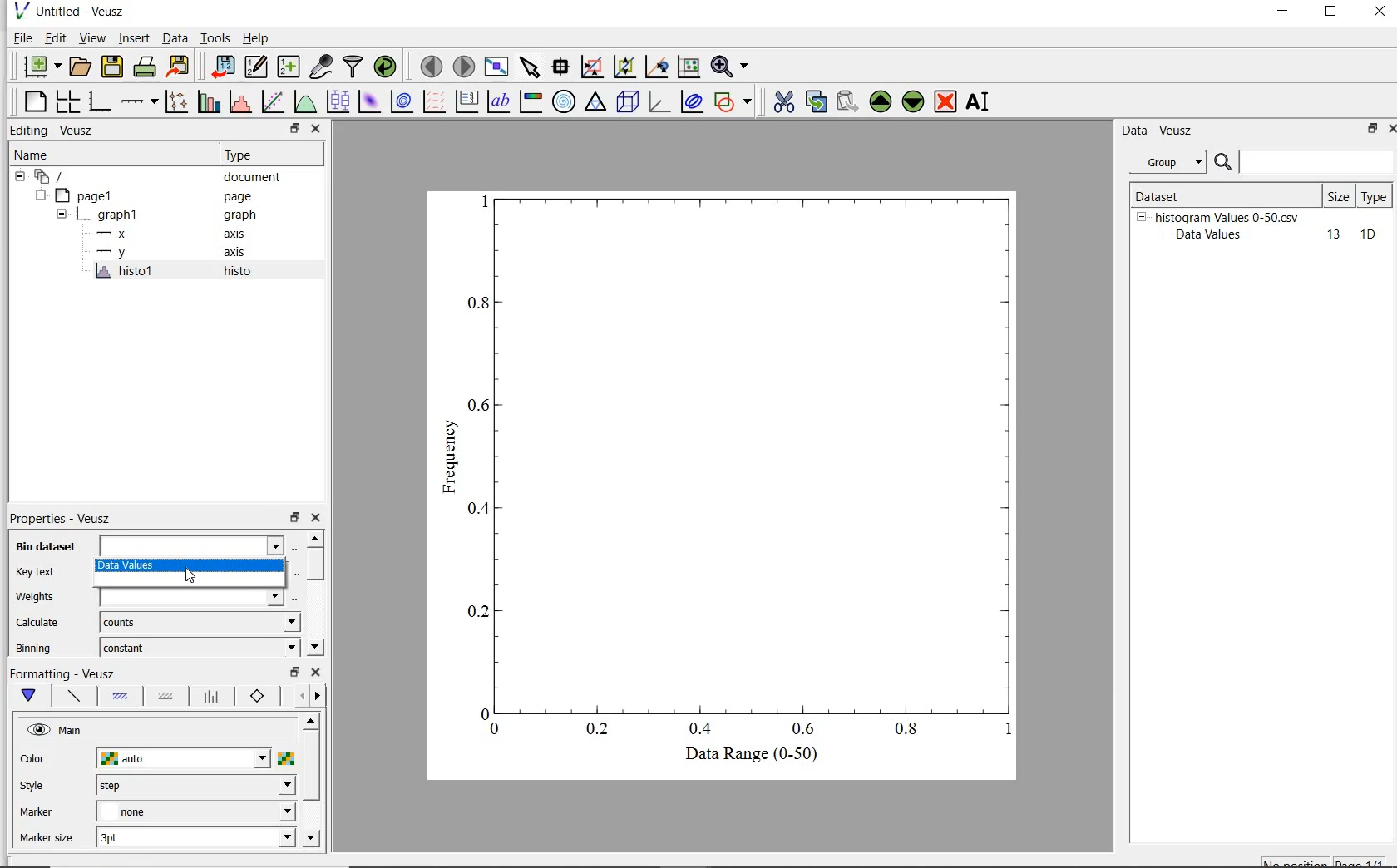  I want to click on pic color, so click(286, 758).